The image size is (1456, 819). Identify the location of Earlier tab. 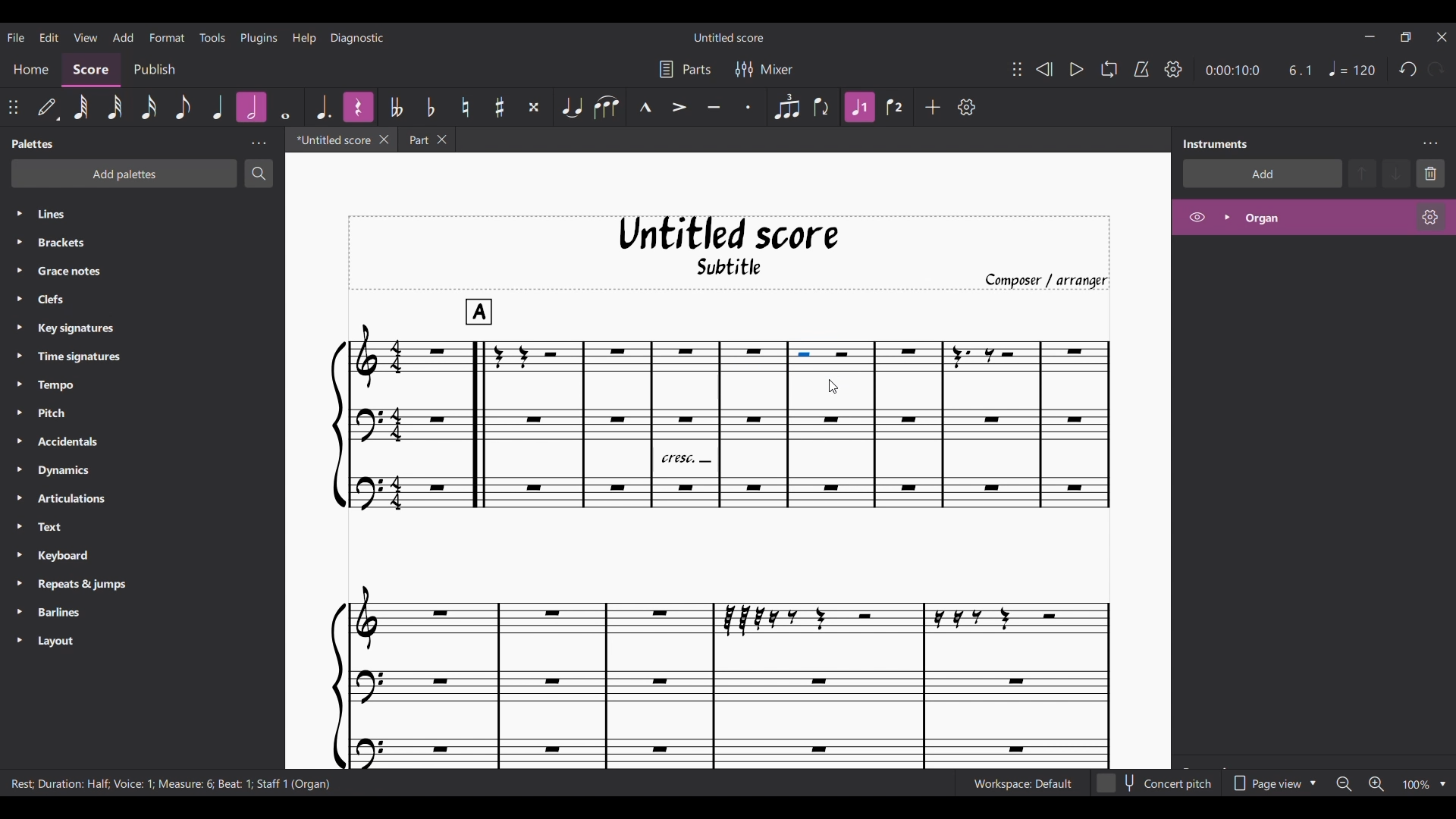
(426, 140).